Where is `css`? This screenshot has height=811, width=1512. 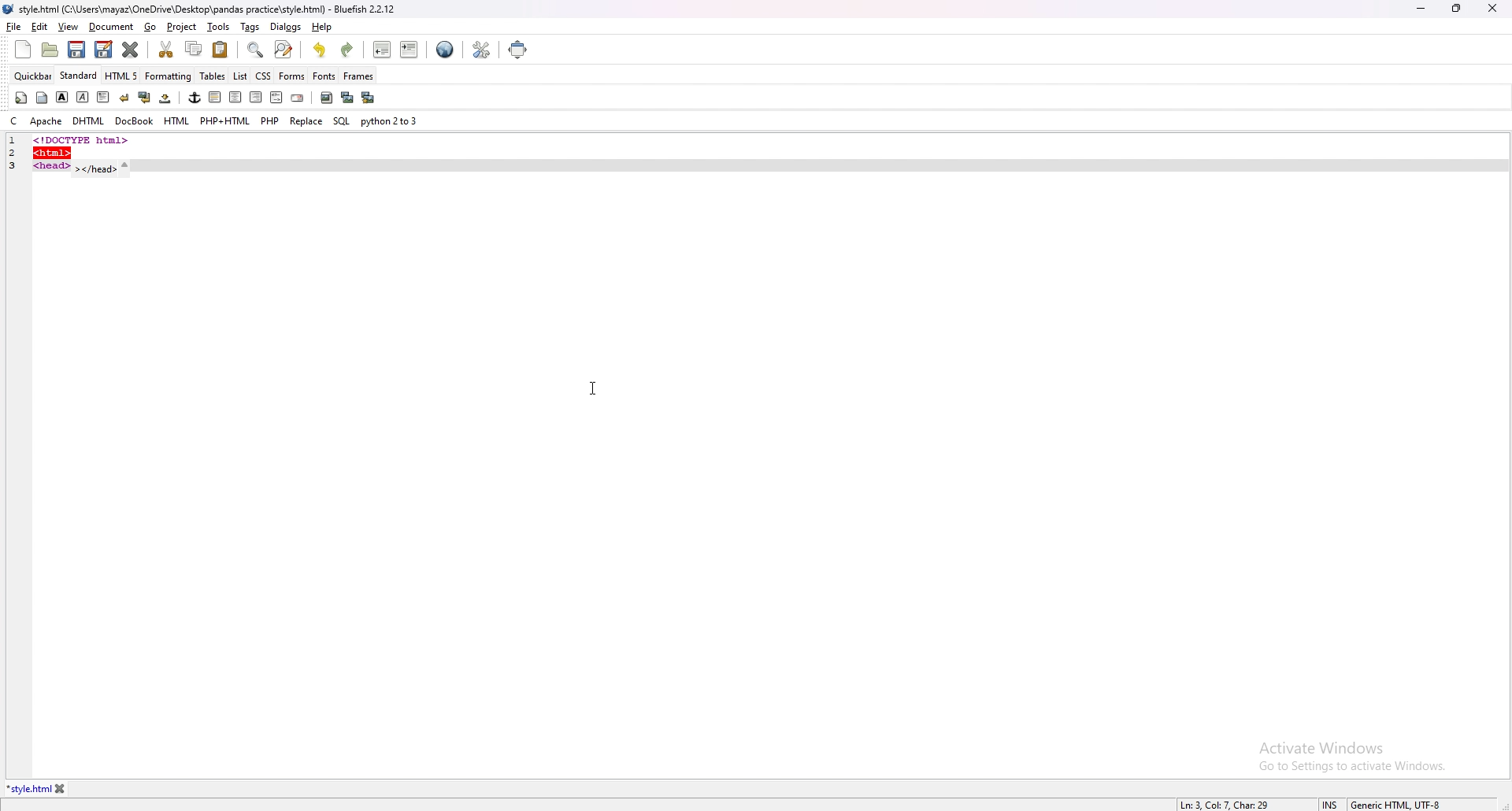 css is located at coordinates (264, 75).